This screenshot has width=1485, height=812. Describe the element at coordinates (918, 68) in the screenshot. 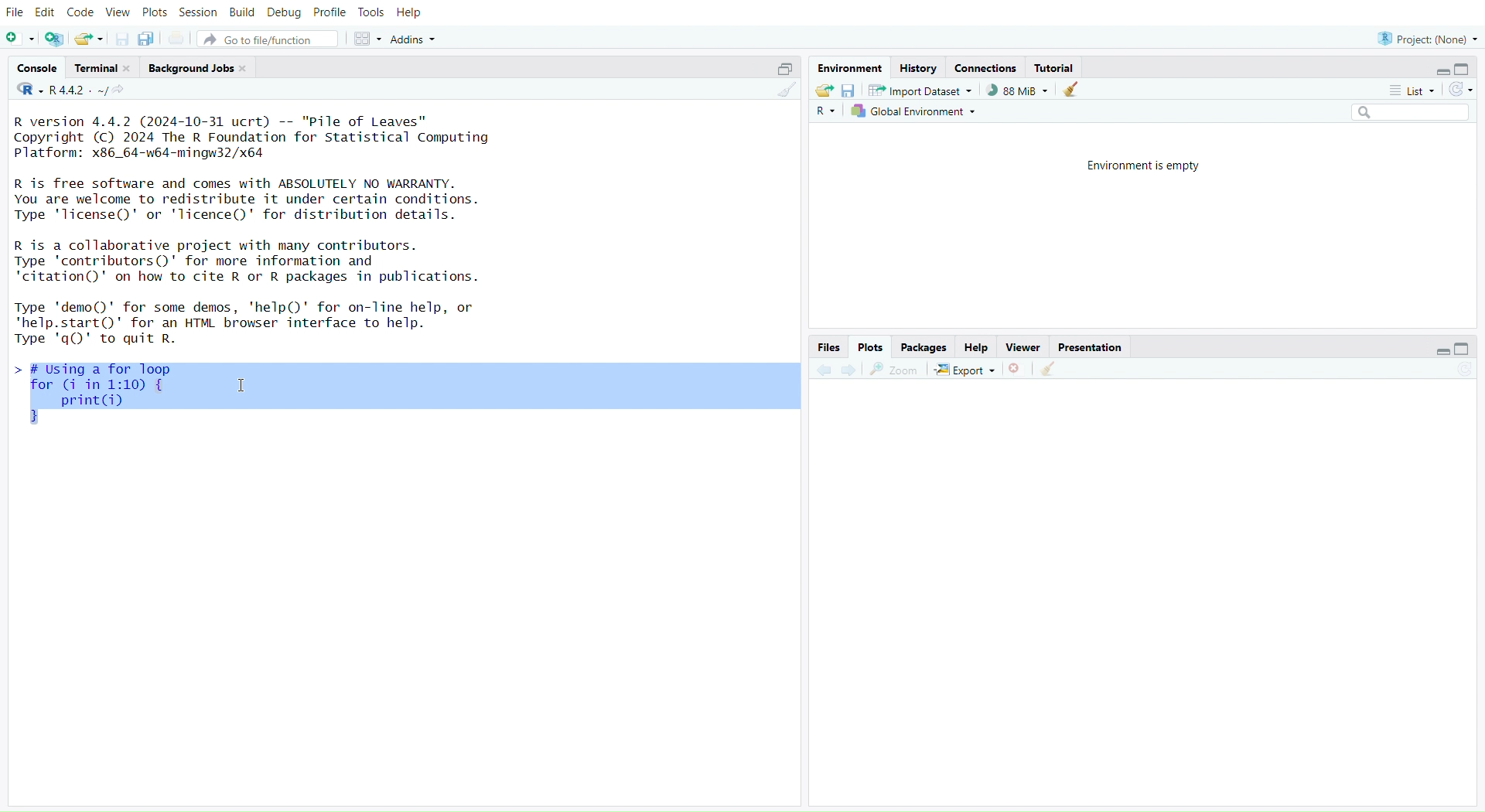

I see `history` at that location.